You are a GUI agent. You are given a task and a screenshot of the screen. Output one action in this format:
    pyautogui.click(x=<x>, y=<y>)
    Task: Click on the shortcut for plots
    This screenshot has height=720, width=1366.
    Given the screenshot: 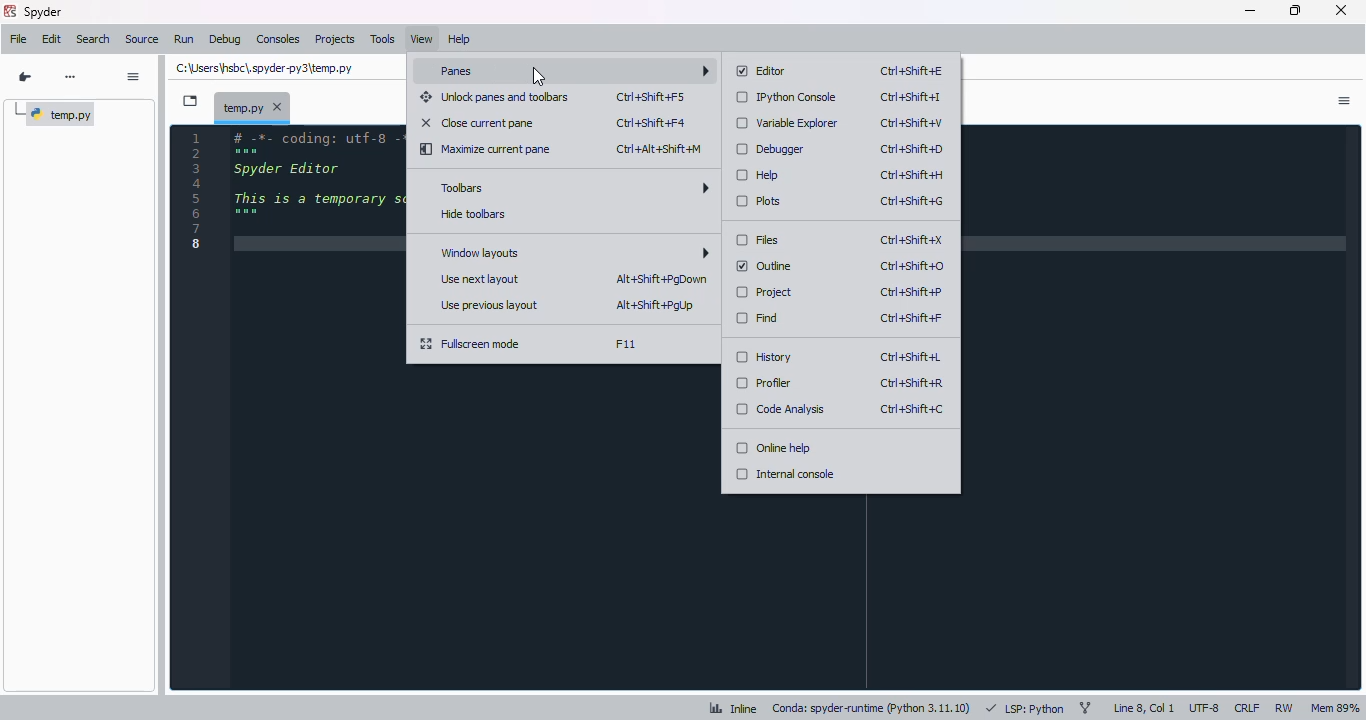 What is the action you would take?
    pyautogui.click(x=913, y=201)
    